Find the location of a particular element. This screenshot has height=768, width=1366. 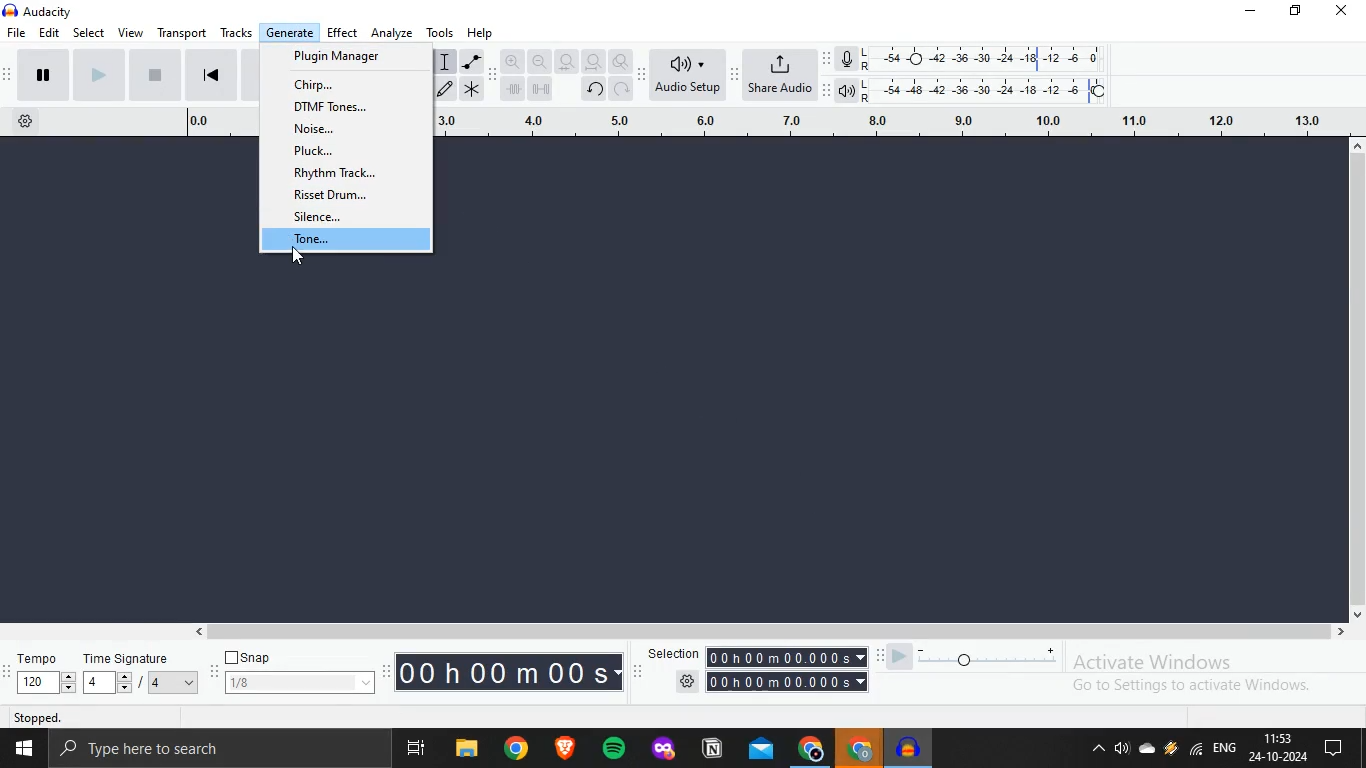

Show hidden icons is located at coordinates (1099, 752).